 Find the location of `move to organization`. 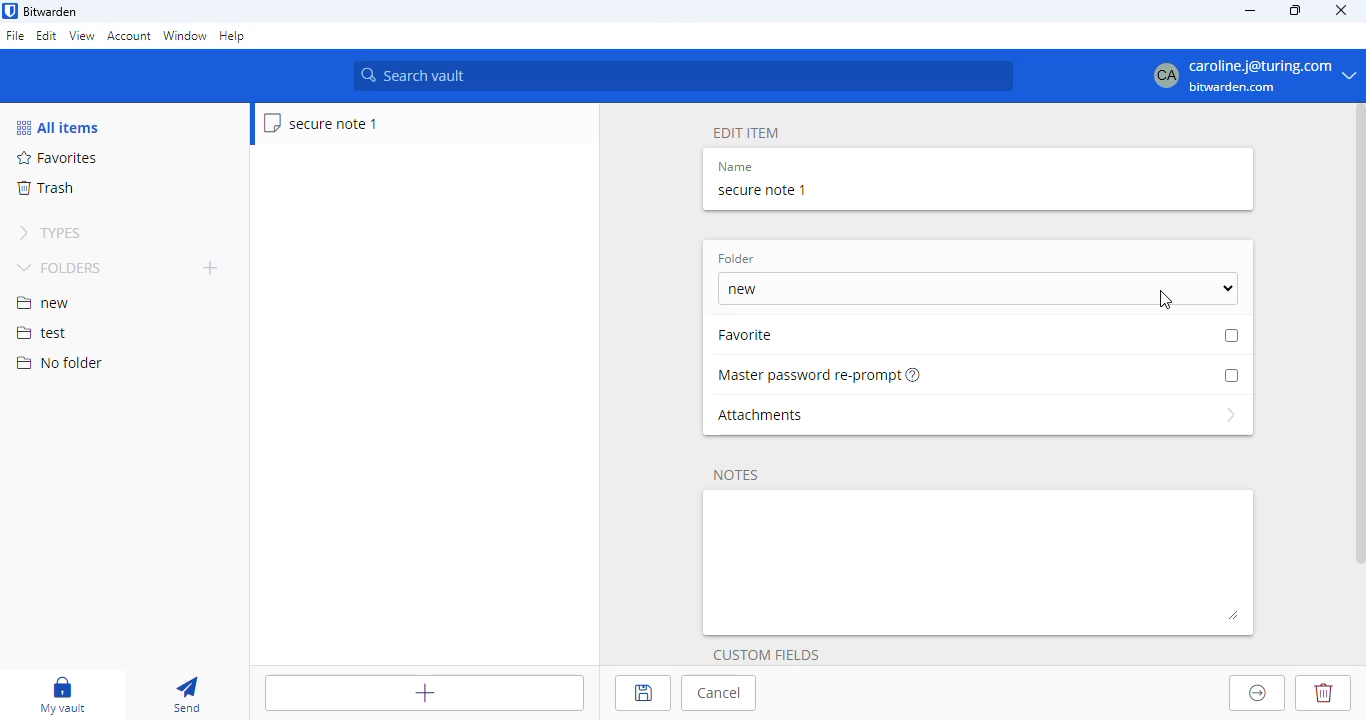

move to organization is located at coordinates (1258, 693).